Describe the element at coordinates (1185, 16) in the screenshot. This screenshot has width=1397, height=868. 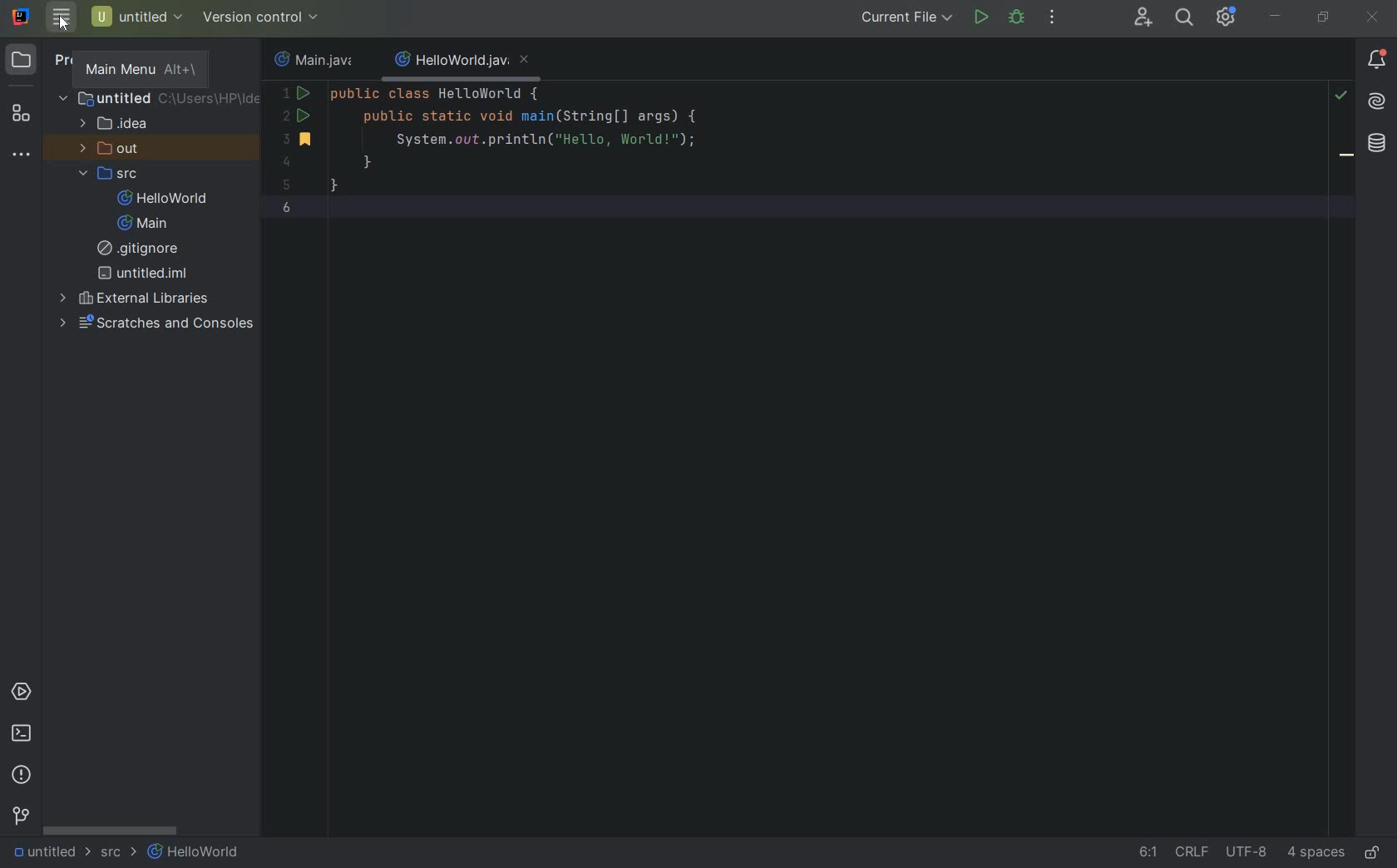
I see `search everywhere` at that location.